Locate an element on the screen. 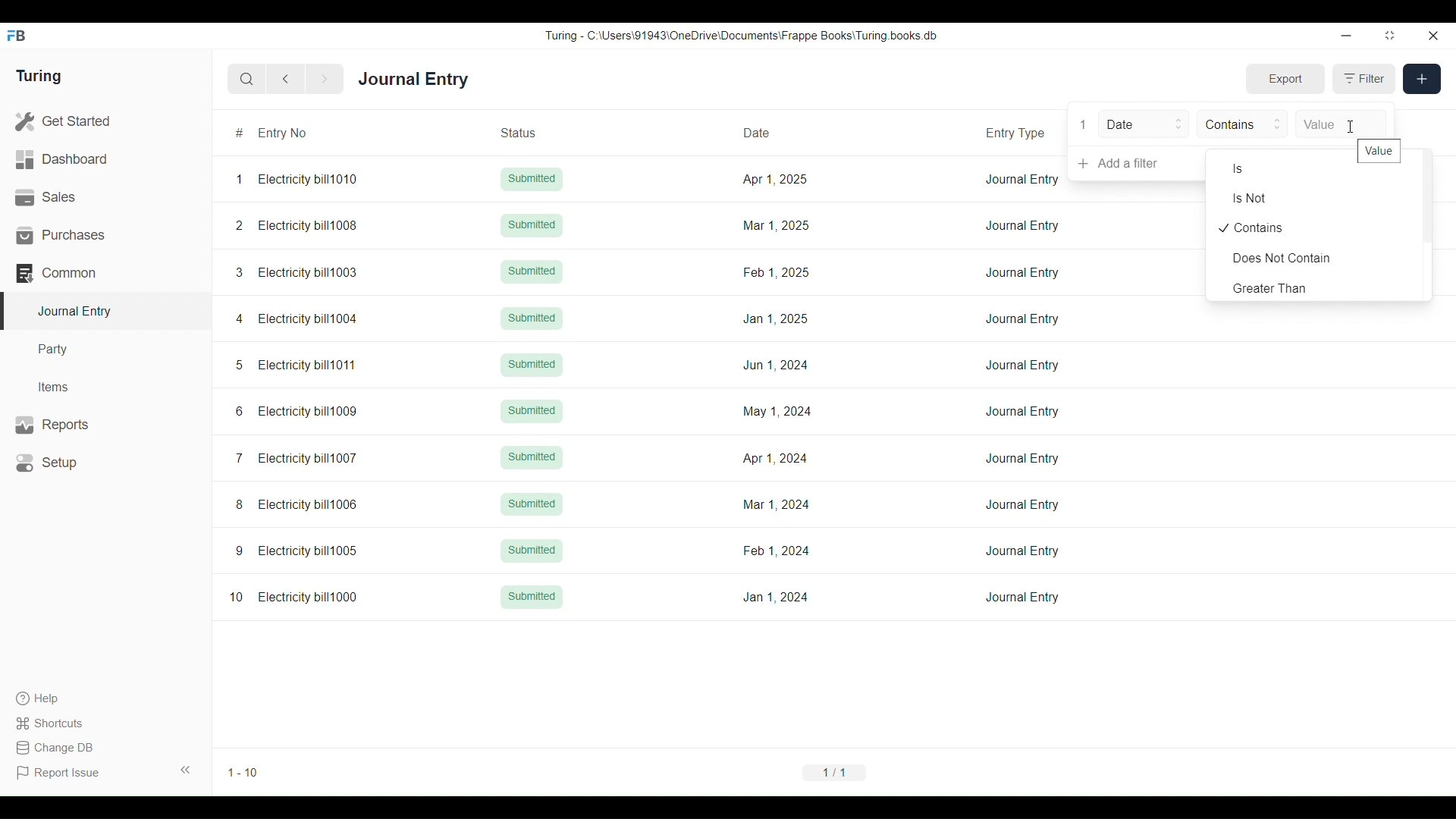 The image size is (1456, 819). Common is located at coordinates (105, 273).